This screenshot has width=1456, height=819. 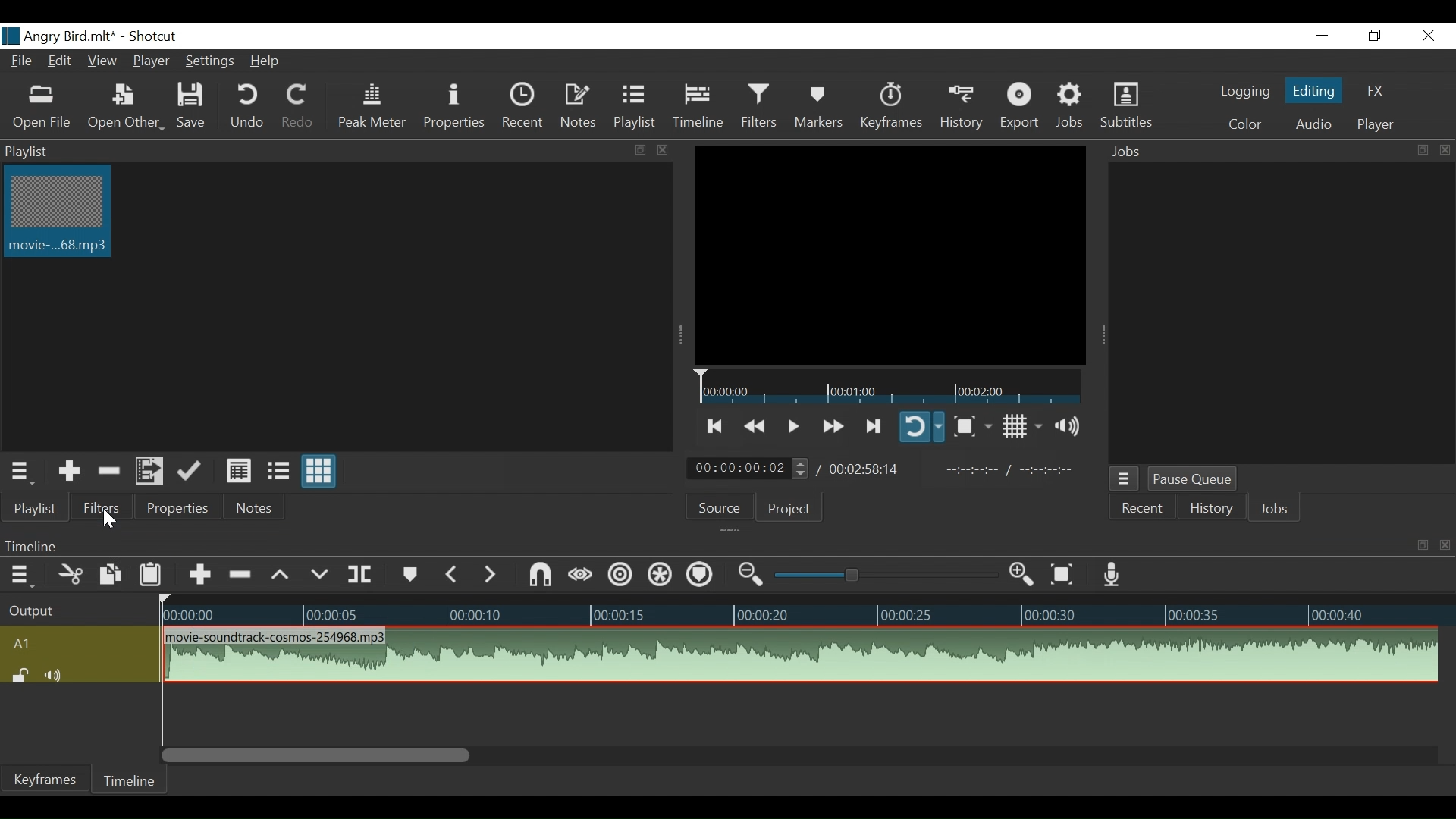 I want to click on Play quickly forward, so click(x=831, y=425).